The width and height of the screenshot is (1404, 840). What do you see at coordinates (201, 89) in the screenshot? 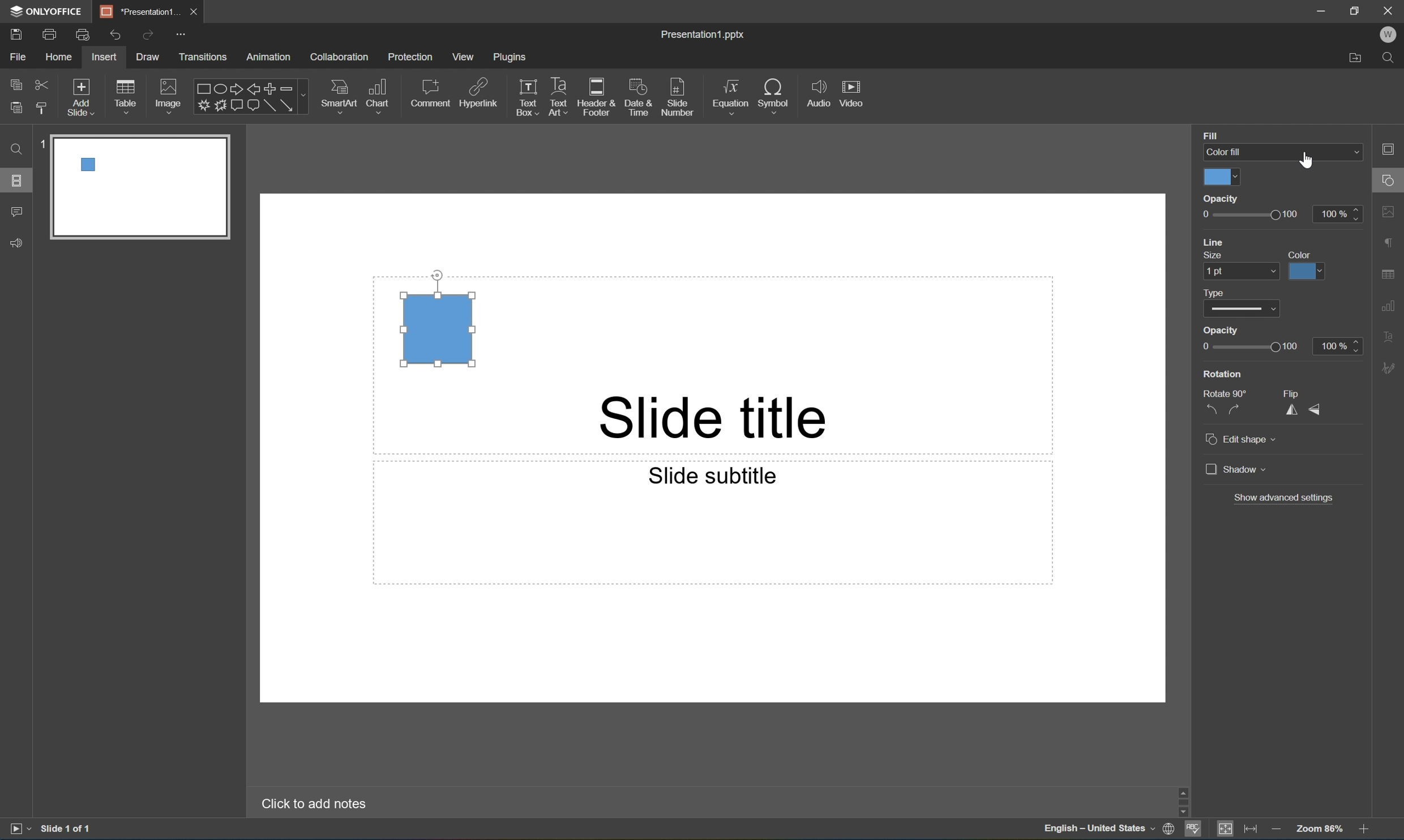
I see `Rectangle` at bounding box center [201, 89].